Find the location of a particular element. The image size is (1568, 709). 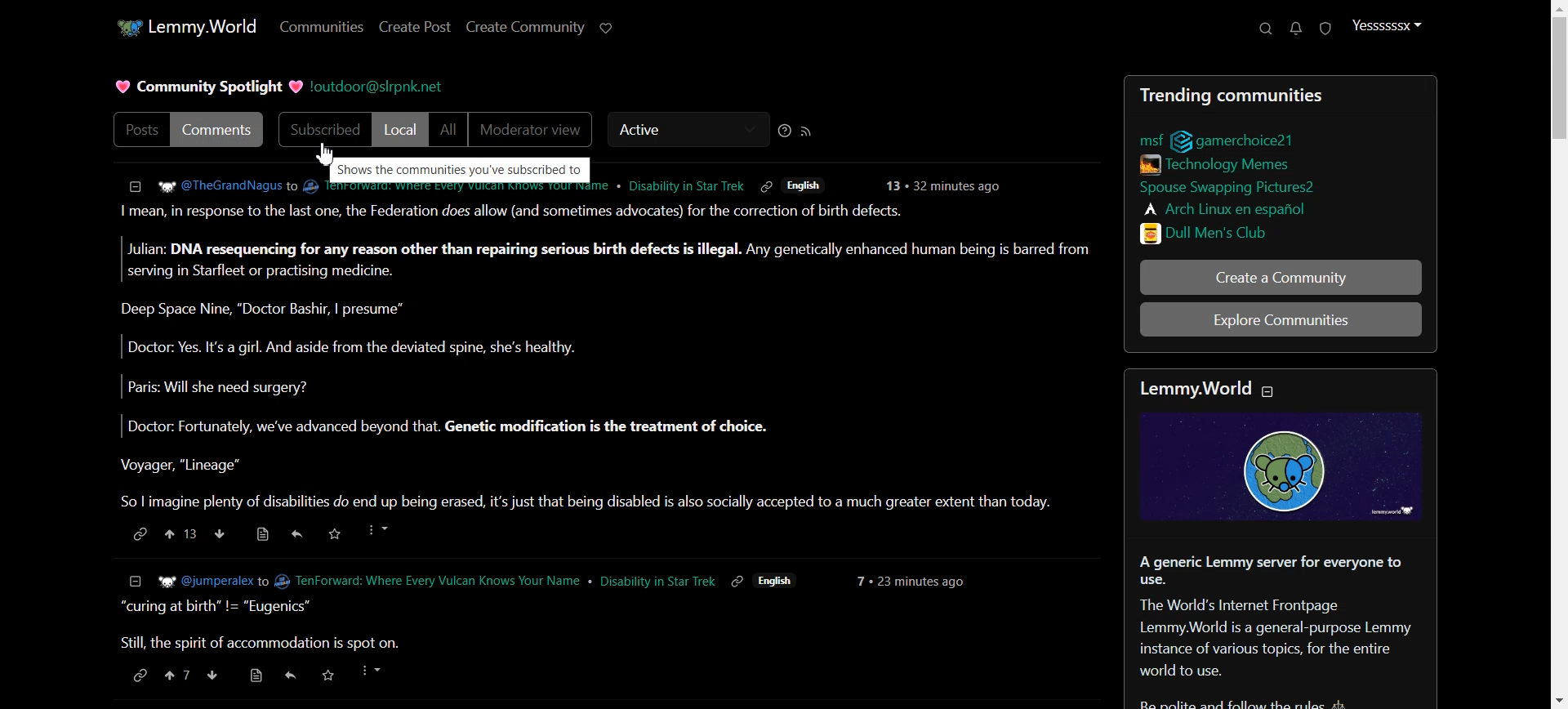

downvote is located at coordinates (218, 534).